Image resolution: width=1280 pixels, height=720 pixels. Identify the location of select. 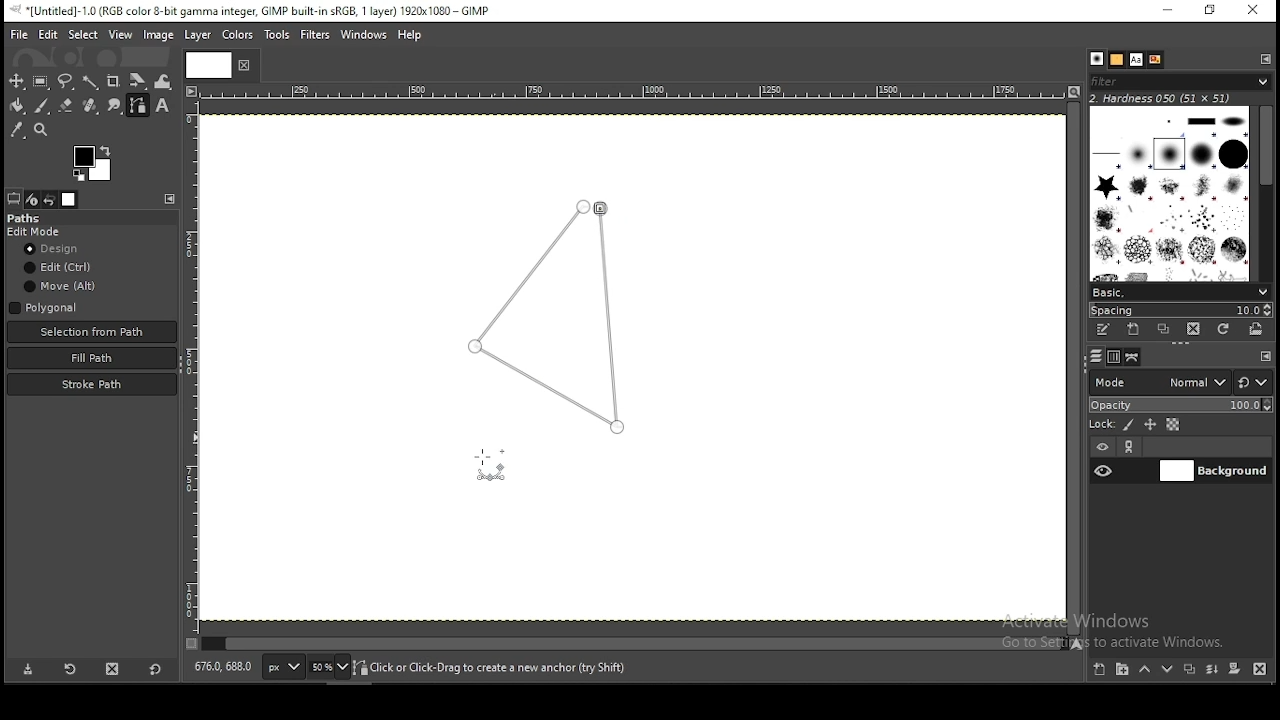
(82, 35).